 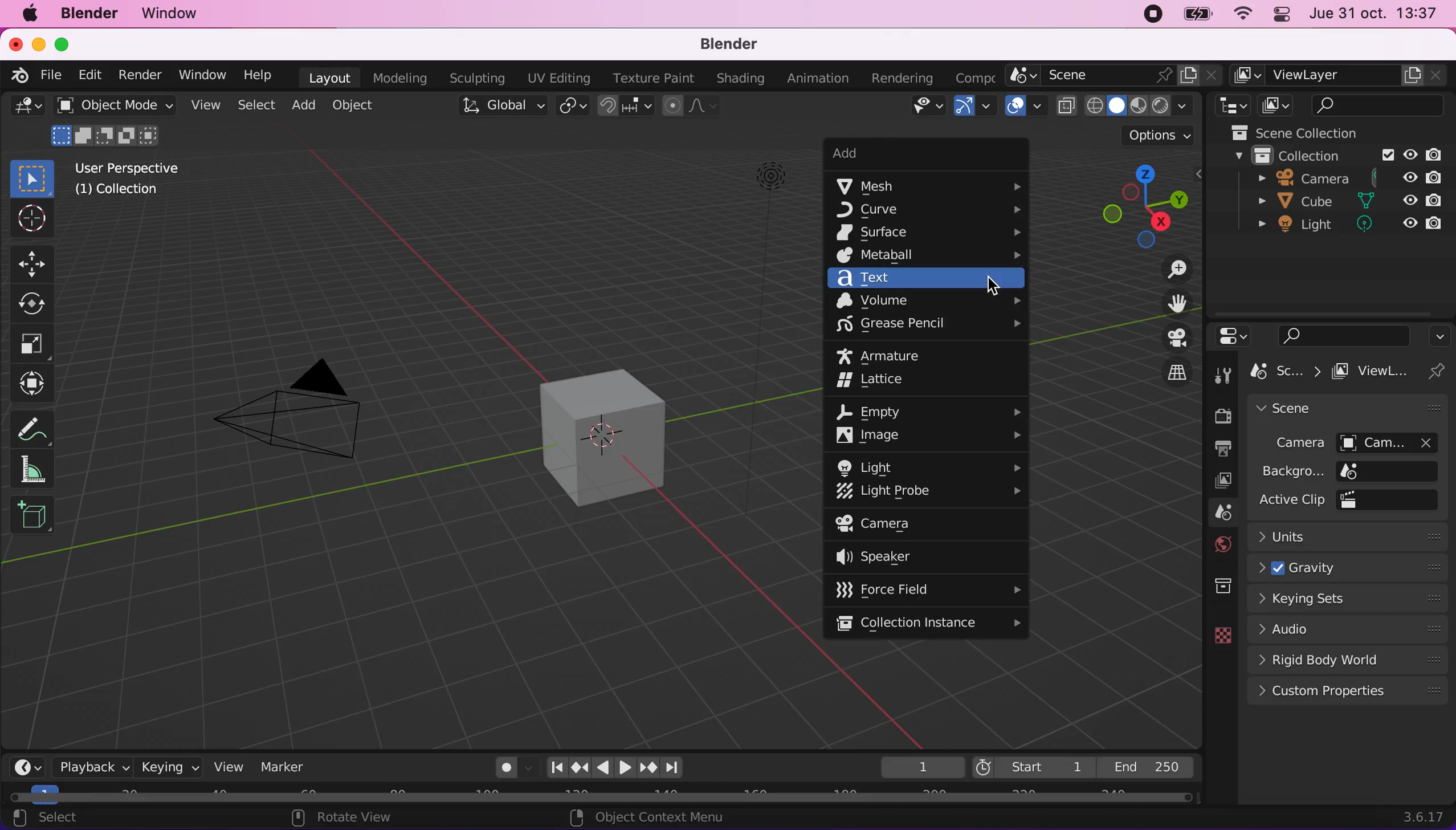 What do you see at coordinates (652, 819) in the screenshot?
I see `object context menu` at bounding box center [652, 819].